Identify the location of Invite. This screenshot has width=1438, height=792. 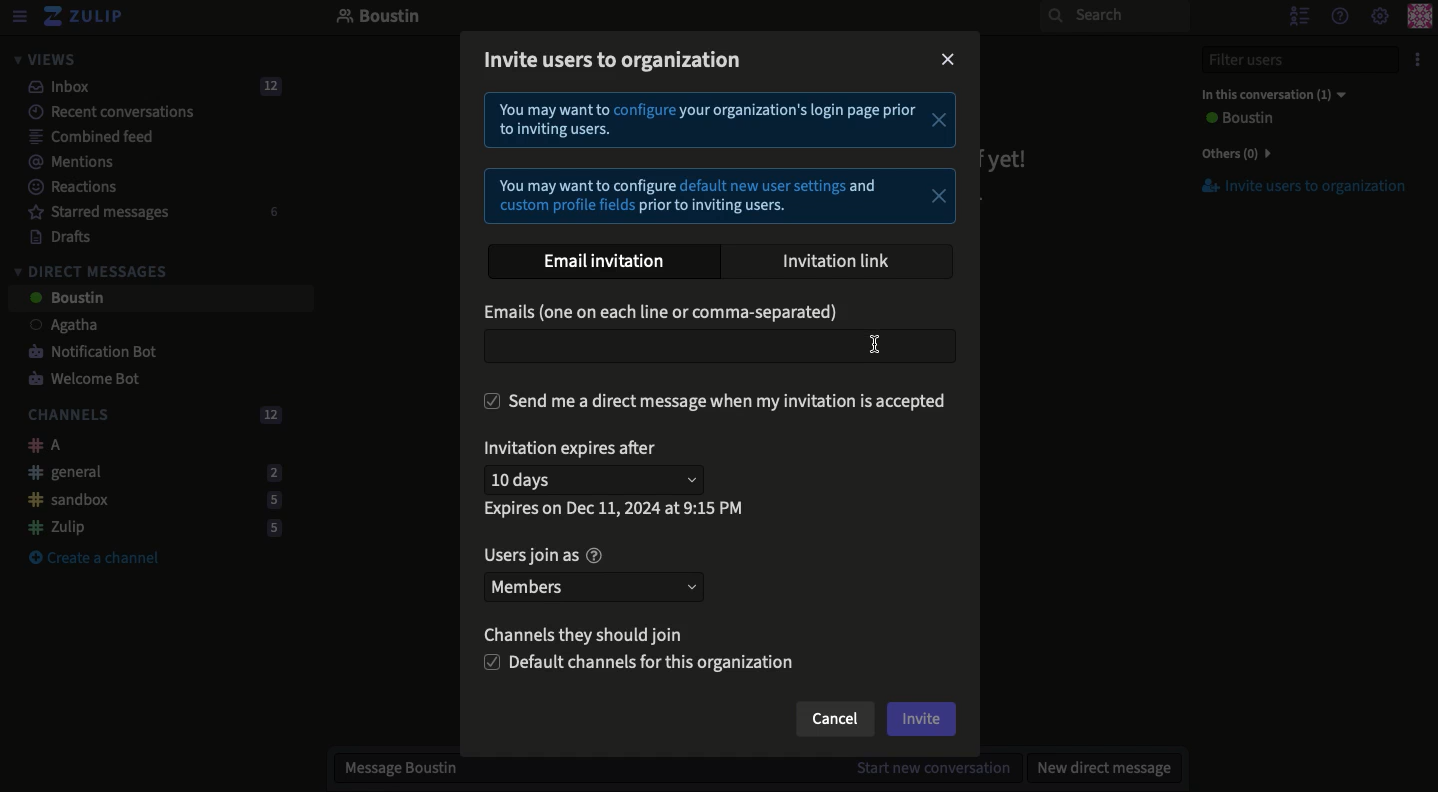
(922, 719).